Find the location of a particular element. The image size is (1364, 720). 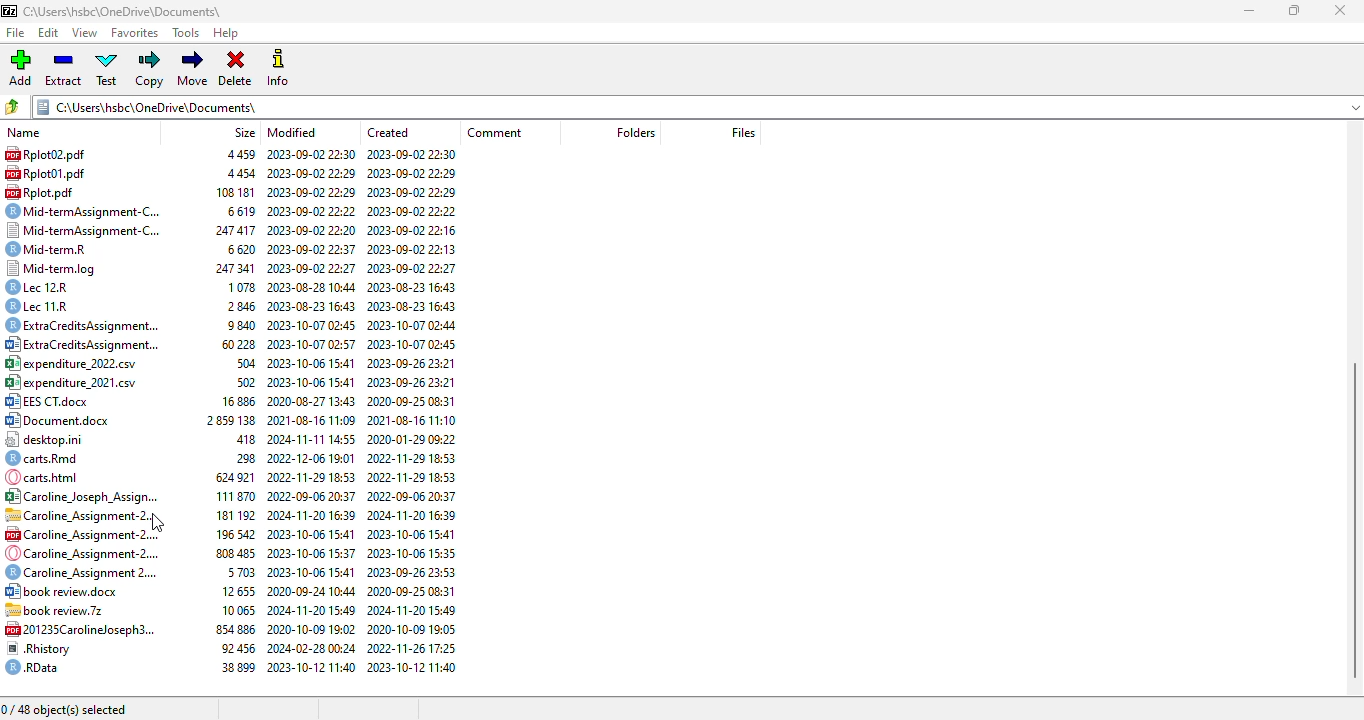

Rplot02.pdf is located at coordinates (65, 154).